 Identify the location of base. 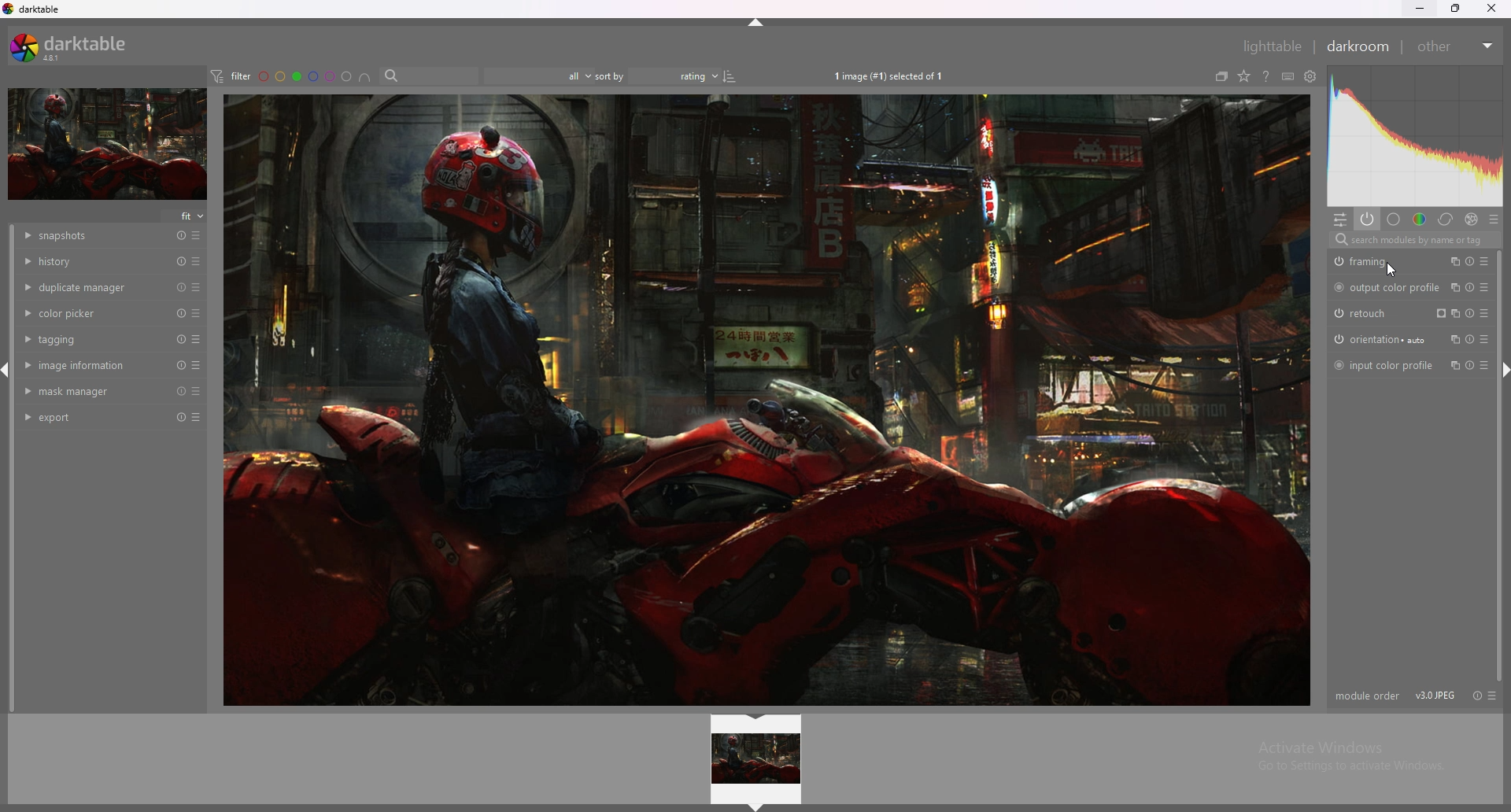
(1393, 219).